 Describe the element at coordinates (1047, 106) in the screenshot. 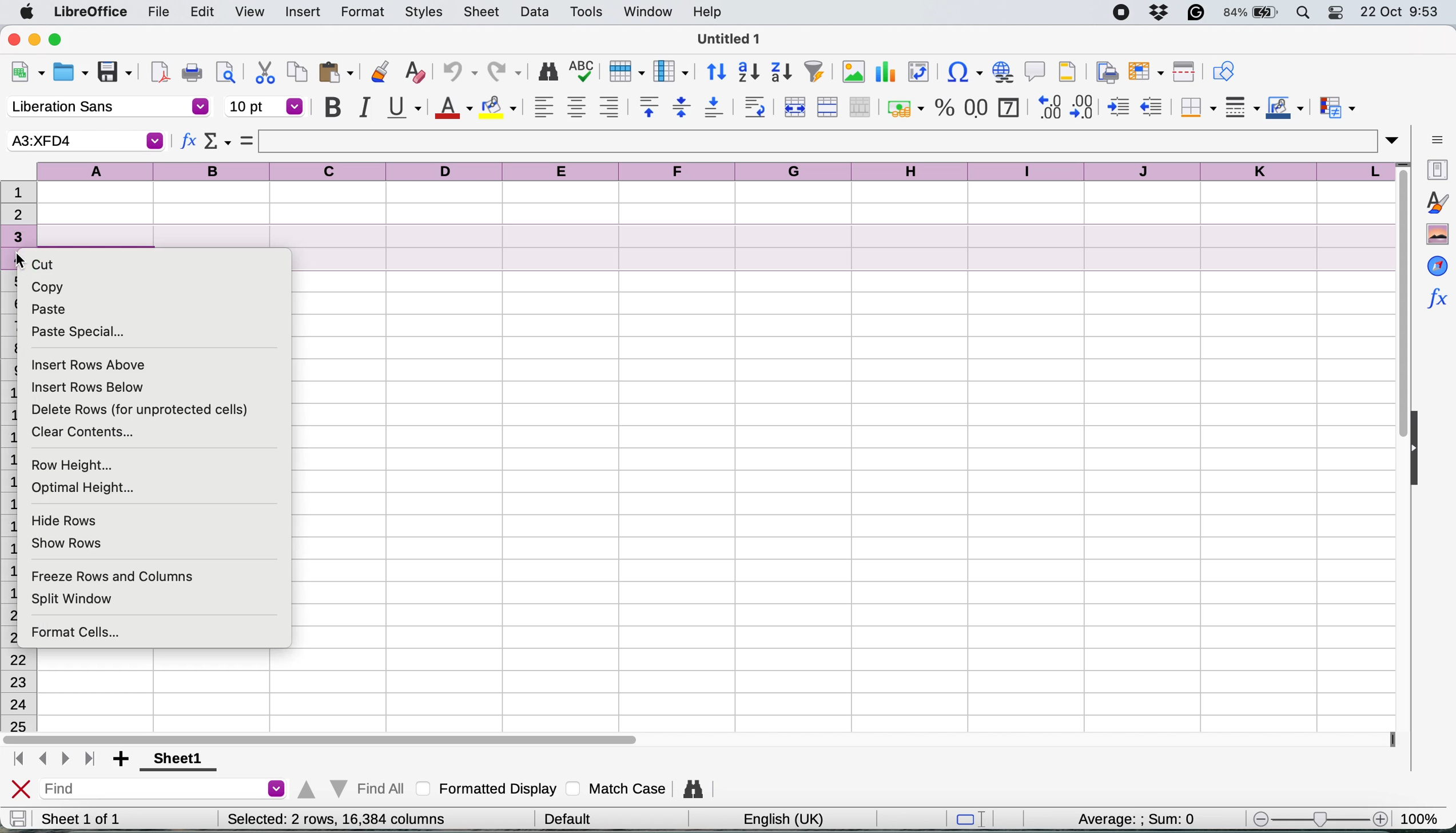

I see `add decimal place` at that location.